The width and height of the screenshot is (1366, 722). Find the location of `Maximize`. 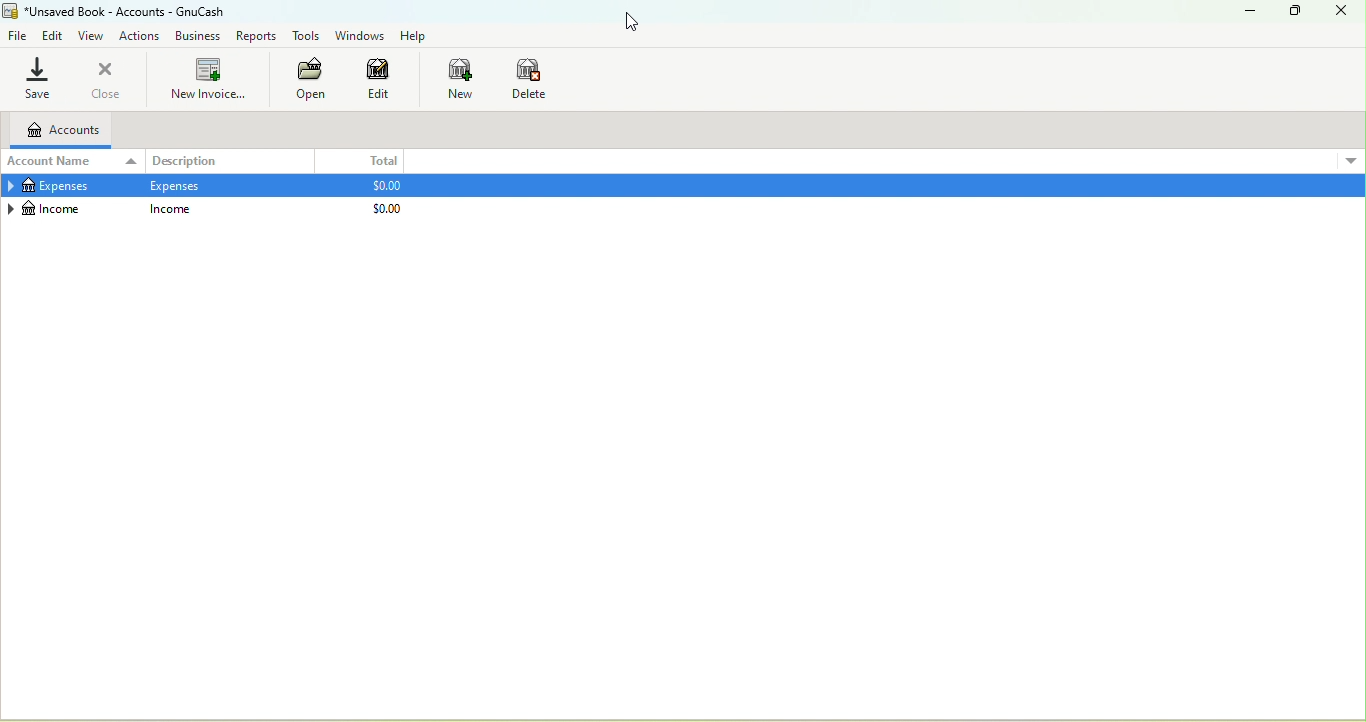

Maximize is located at coordinates (1295, 12).